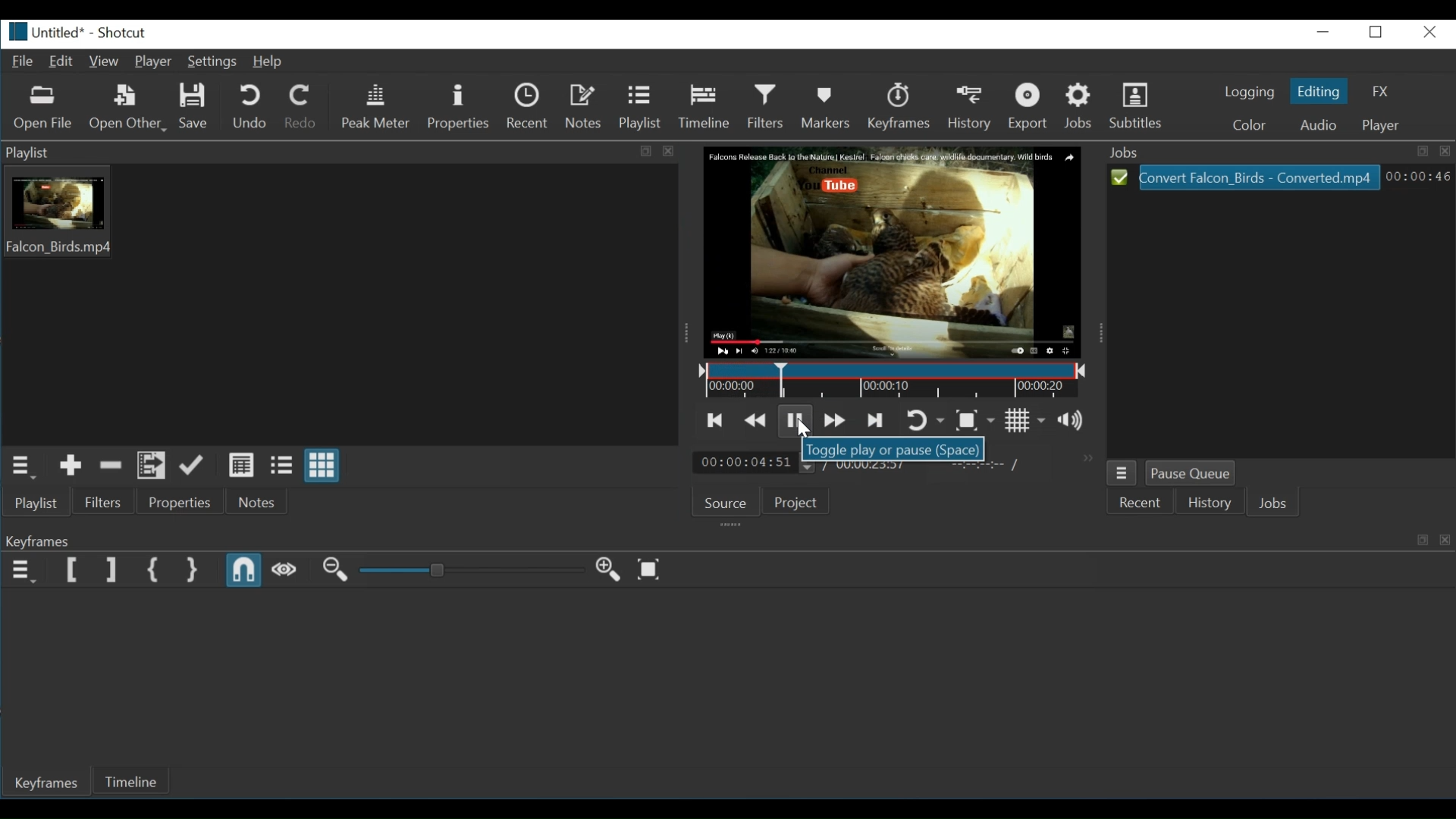 The height and width of the screenshot is (819, 1456). Describe the element at coordinates (726, 505) in the screenshot. I see `Source` at that location.